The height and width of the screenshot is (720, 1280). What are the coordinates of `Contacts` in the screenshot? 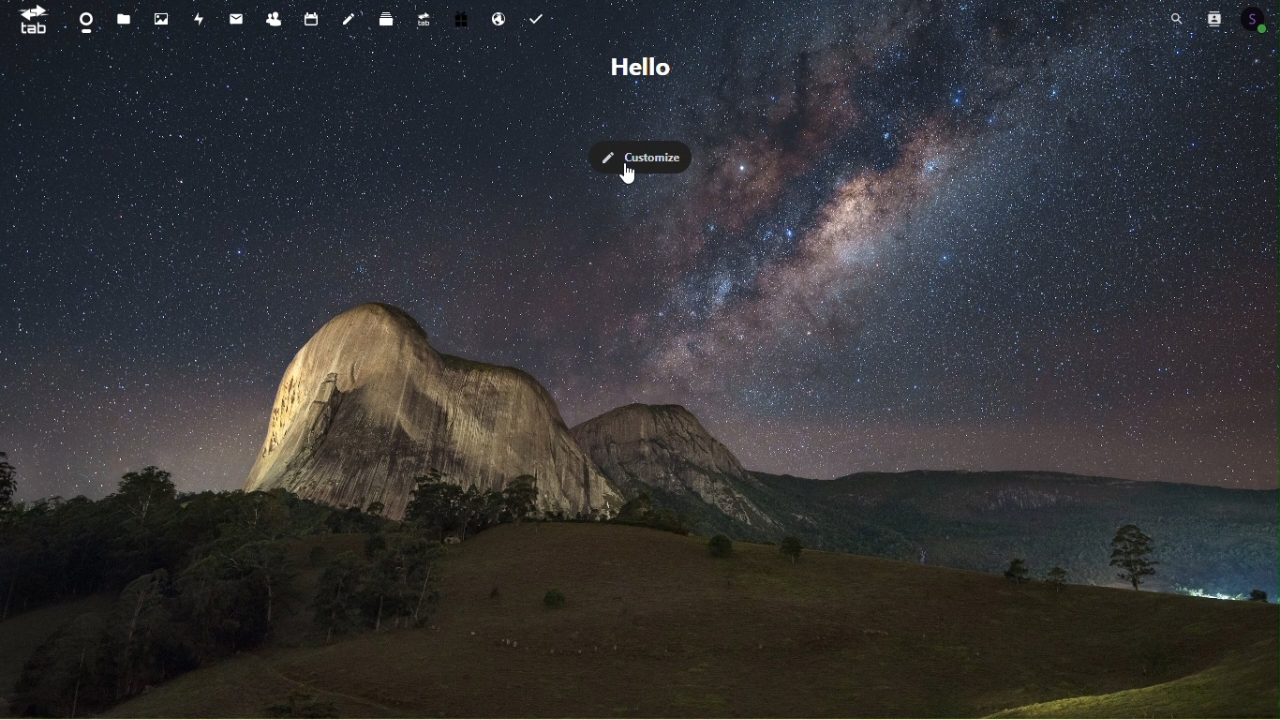 It's located at (1218, 16).